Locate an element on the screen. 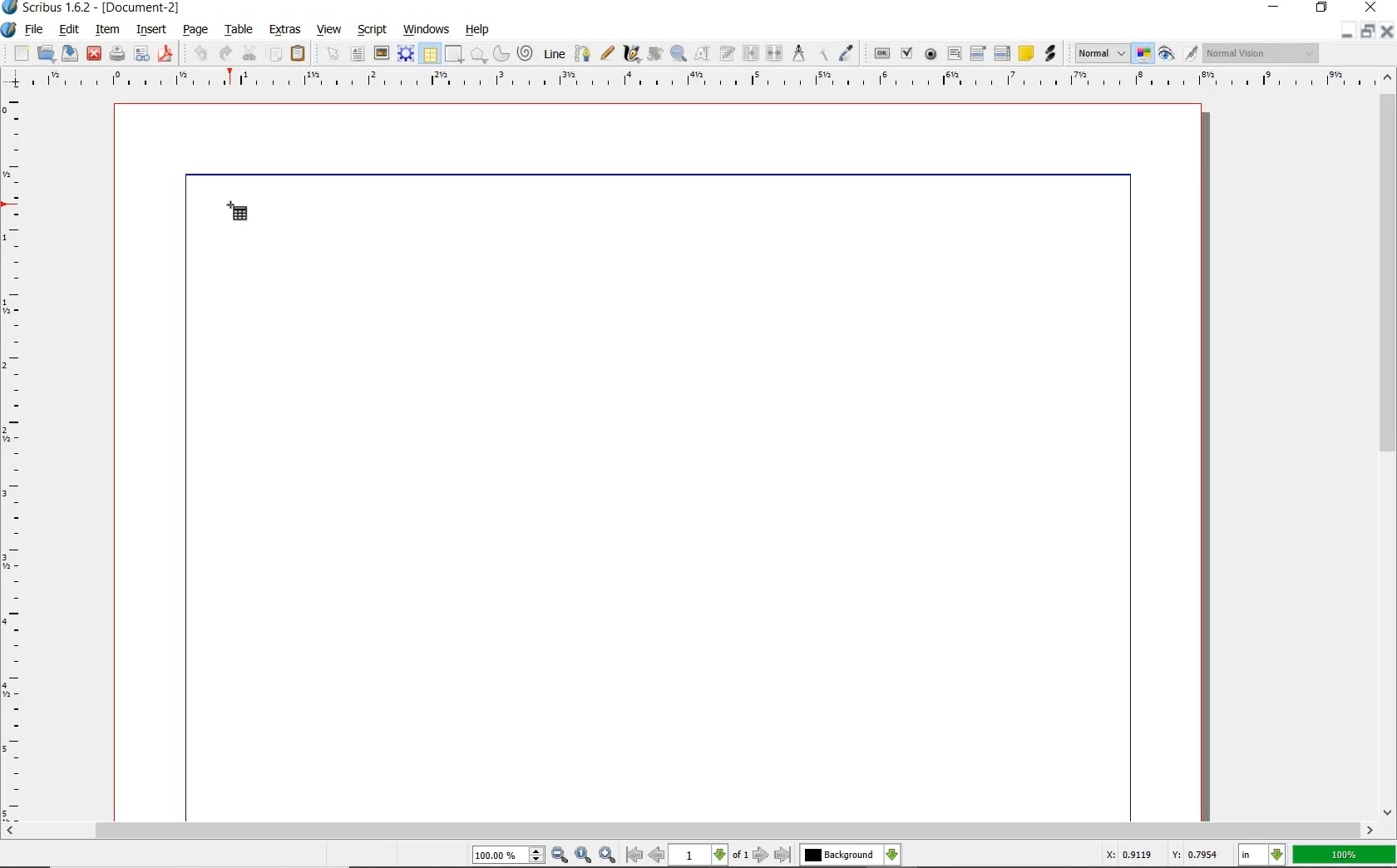 The height and width of the screenshot is (868, 1397). zoom to is located at coordinates (585, 856).